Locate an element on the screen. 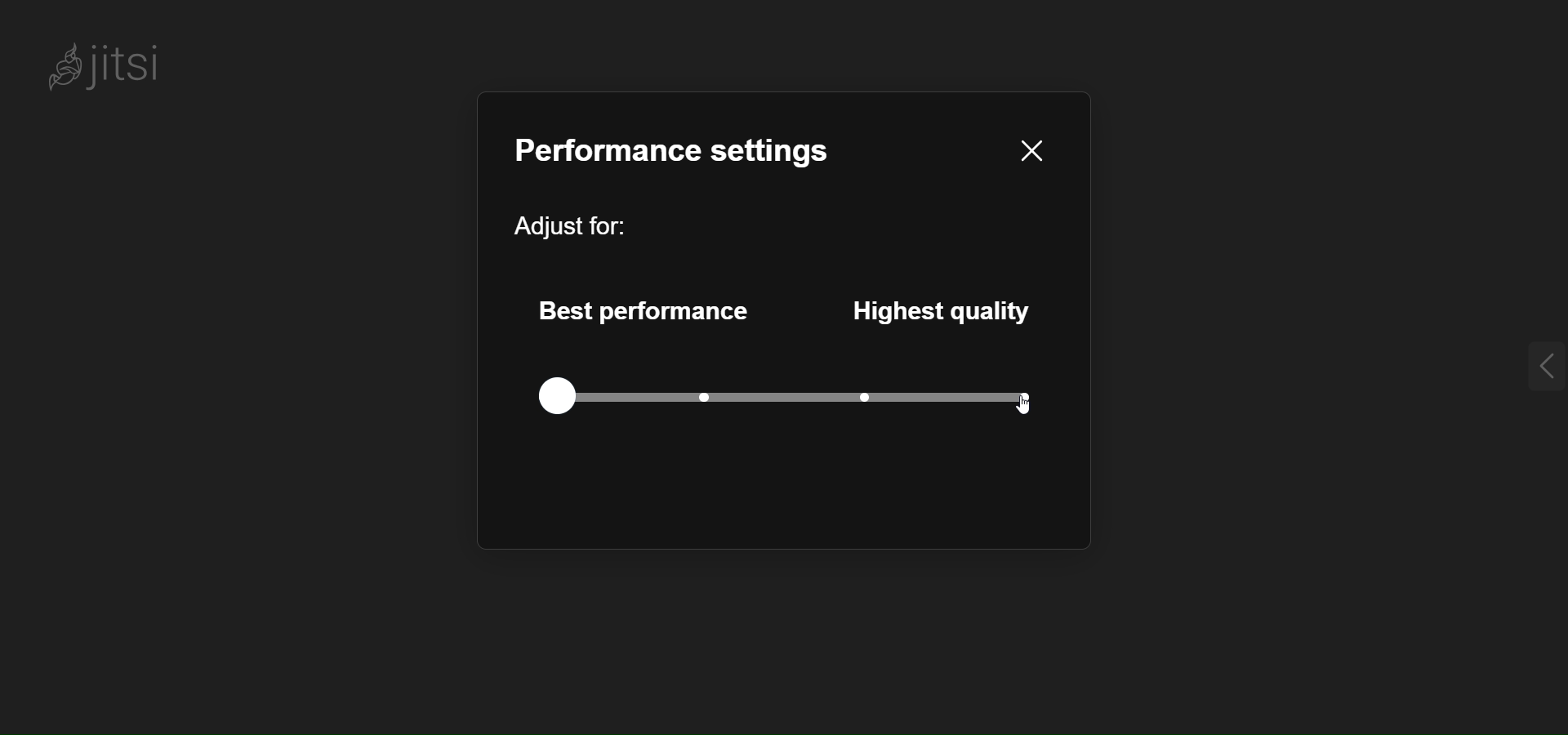  cursor is located at coordinates (1028, 408).